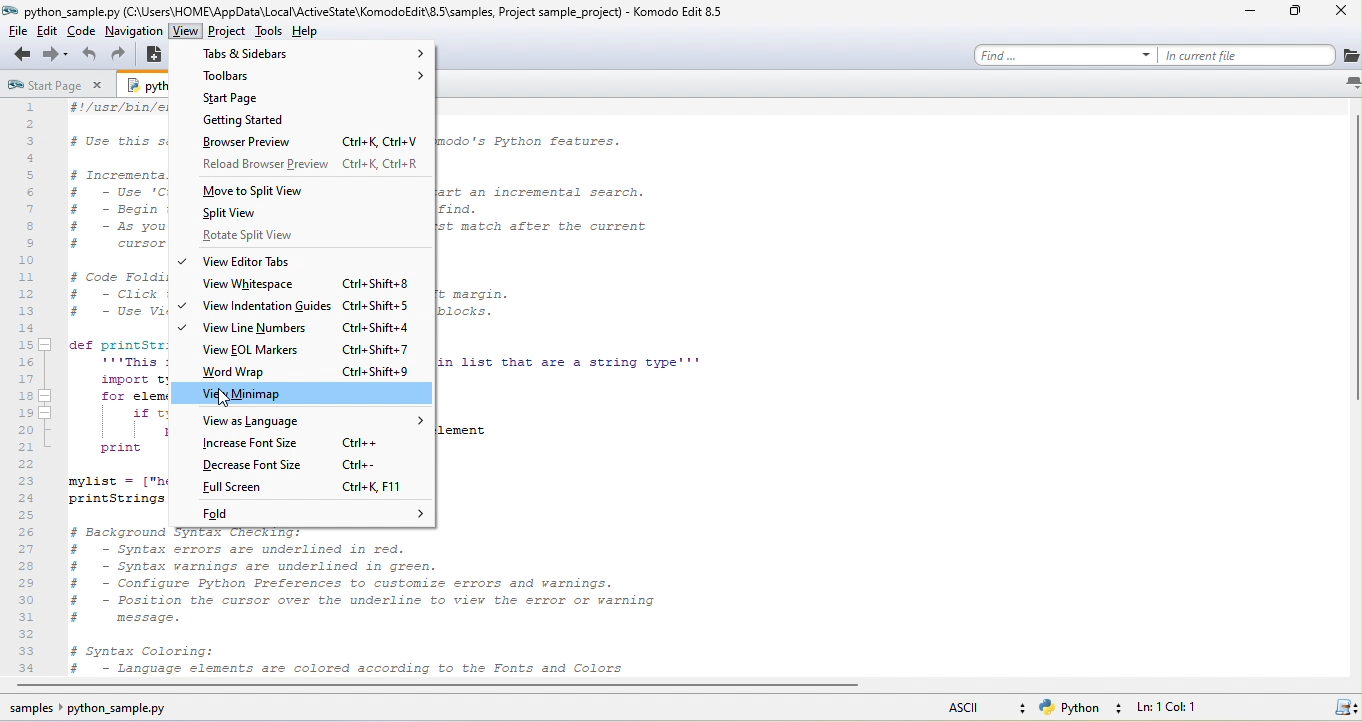  What do you see at coordinates (304, 489) in the screenshot?
I see `full screen` at bounding box center [304, 489].